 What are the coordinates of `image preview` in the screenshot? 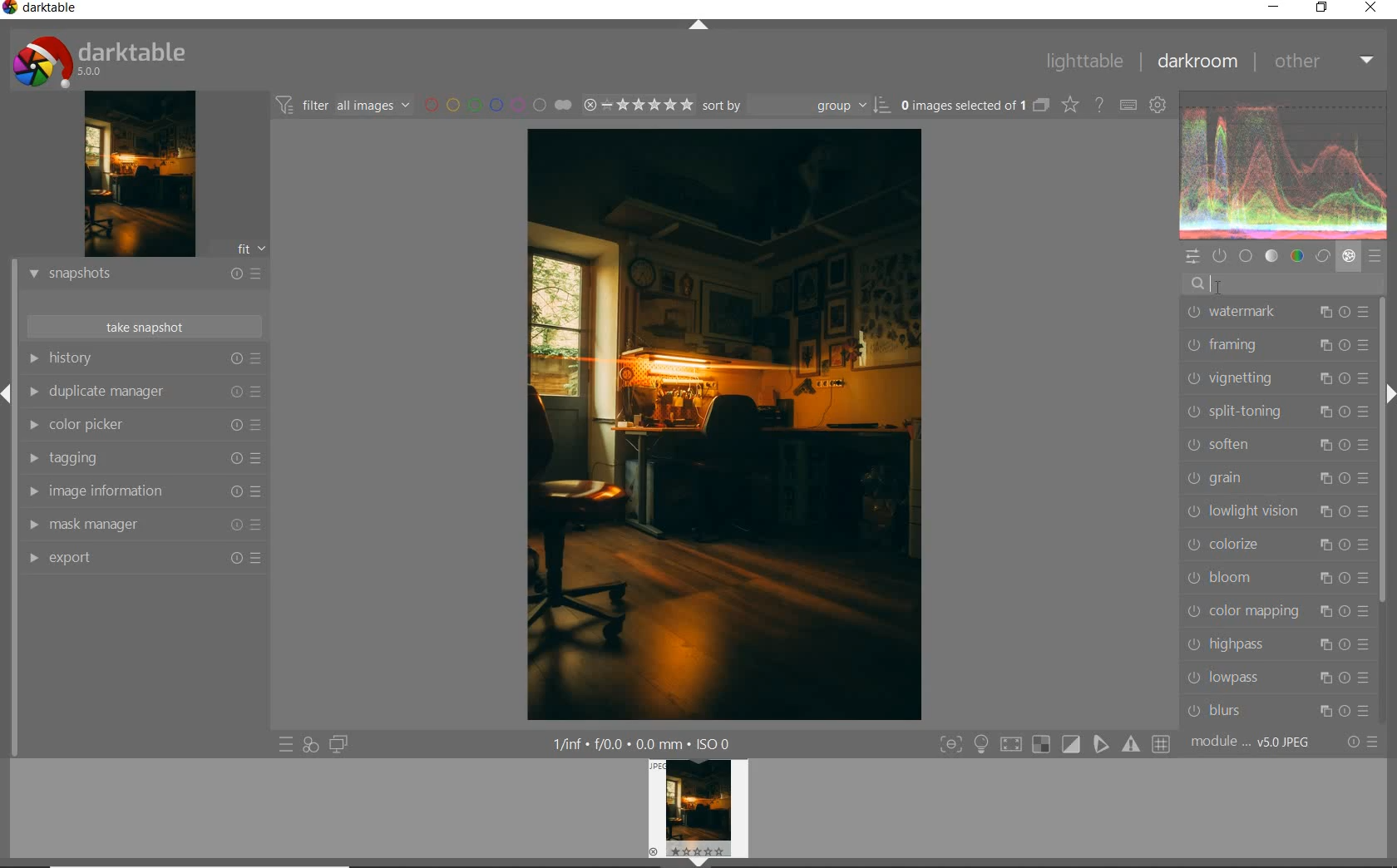 It's located at (136, 177).